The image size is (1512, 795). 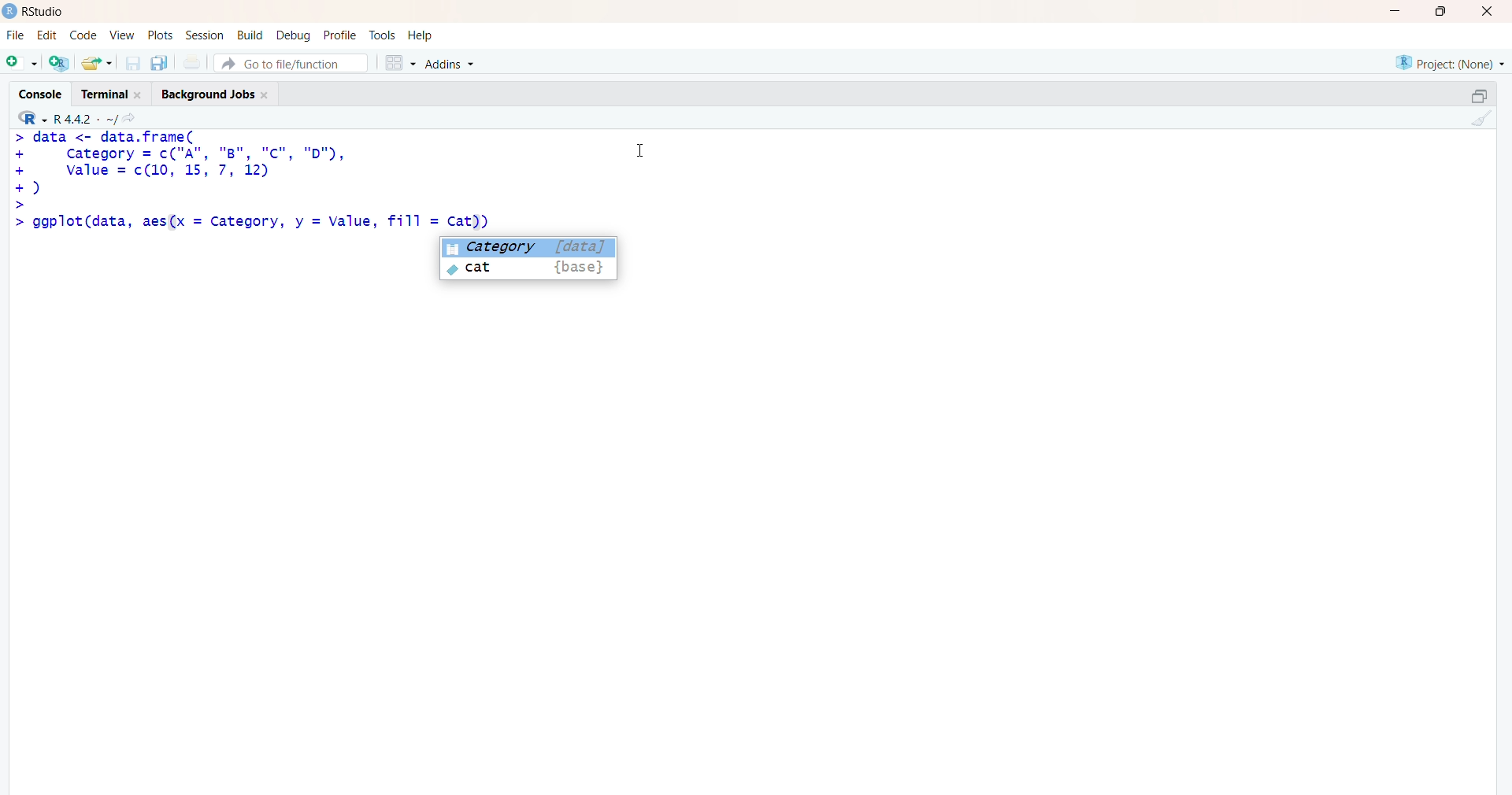 I want to click on maximize, so click(x=1446, y=11).